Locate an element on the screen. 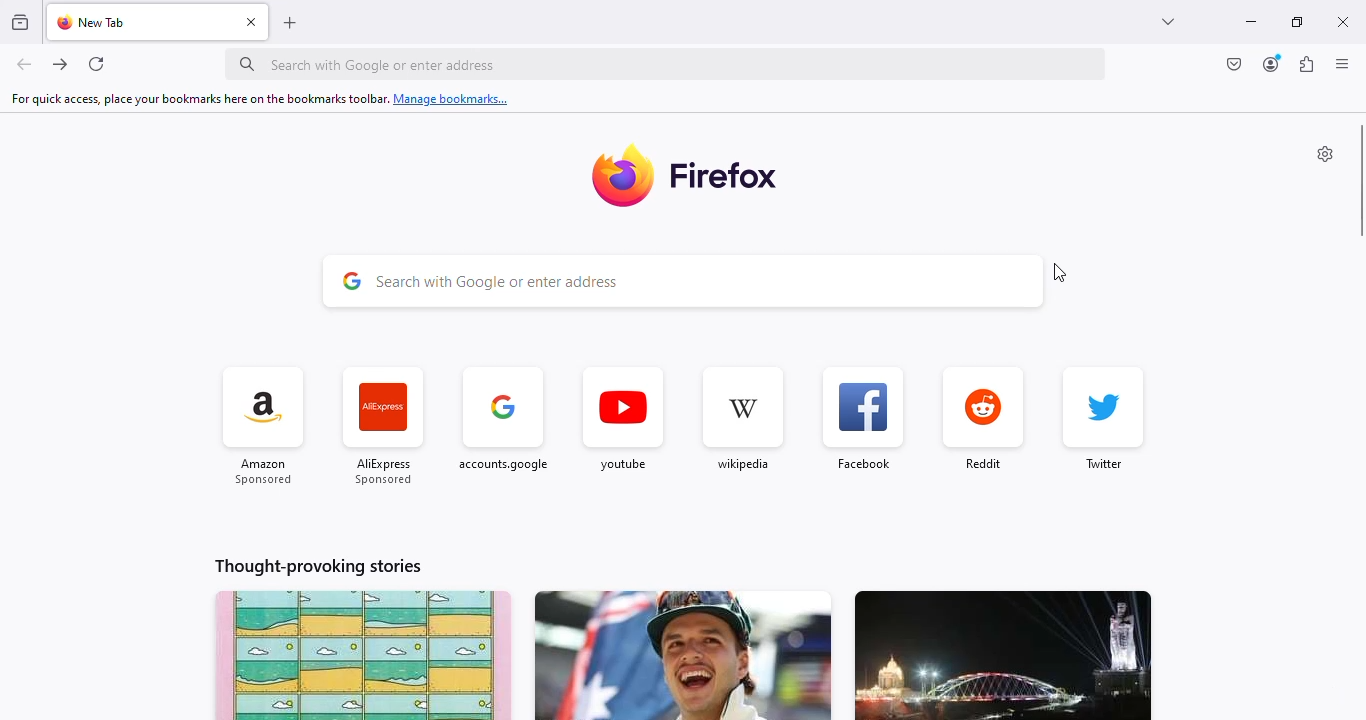 The height and width of the screenshot is (720, 1366). personalise new tab is located at coordinates (1325, 154).